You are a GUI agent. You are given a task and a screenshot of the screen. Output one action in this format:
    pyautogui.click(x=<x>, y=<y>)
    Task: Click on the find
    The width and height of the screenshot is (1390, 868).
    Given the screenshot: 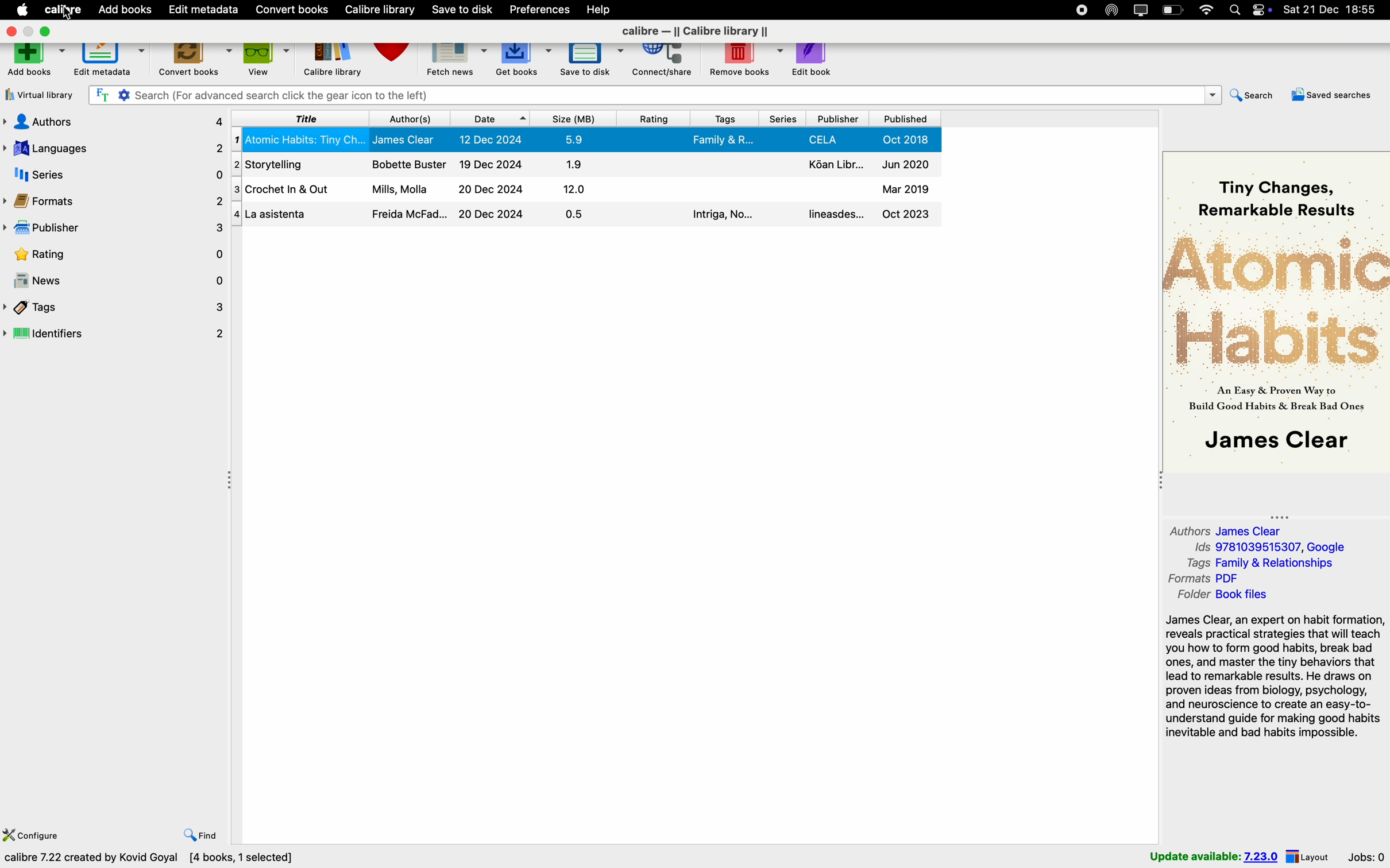 What is the action you would take?
    pyautogui.click(x=202, y=835)
    